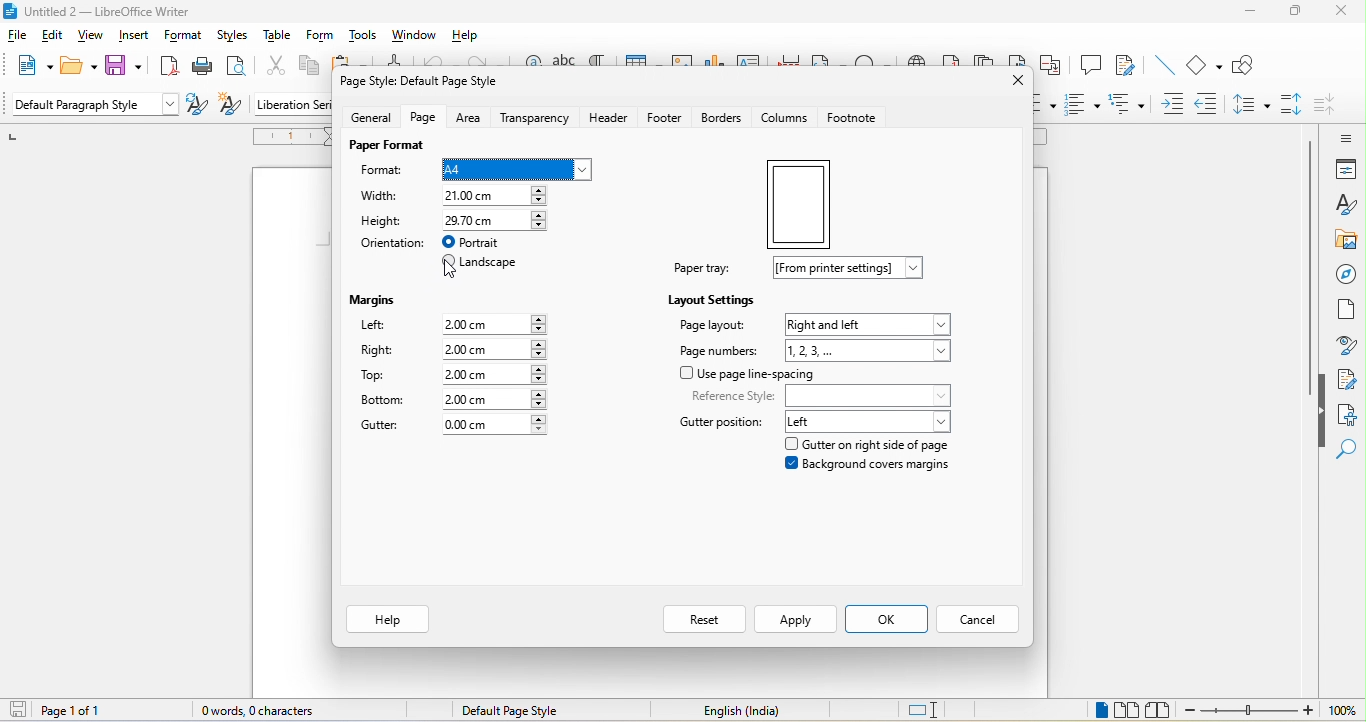 The height and width of the screenshot is (722, 1366). What do you see at coordinates (374, 325) in the screenshot?
I see `left` at bounding box center [374, 325].